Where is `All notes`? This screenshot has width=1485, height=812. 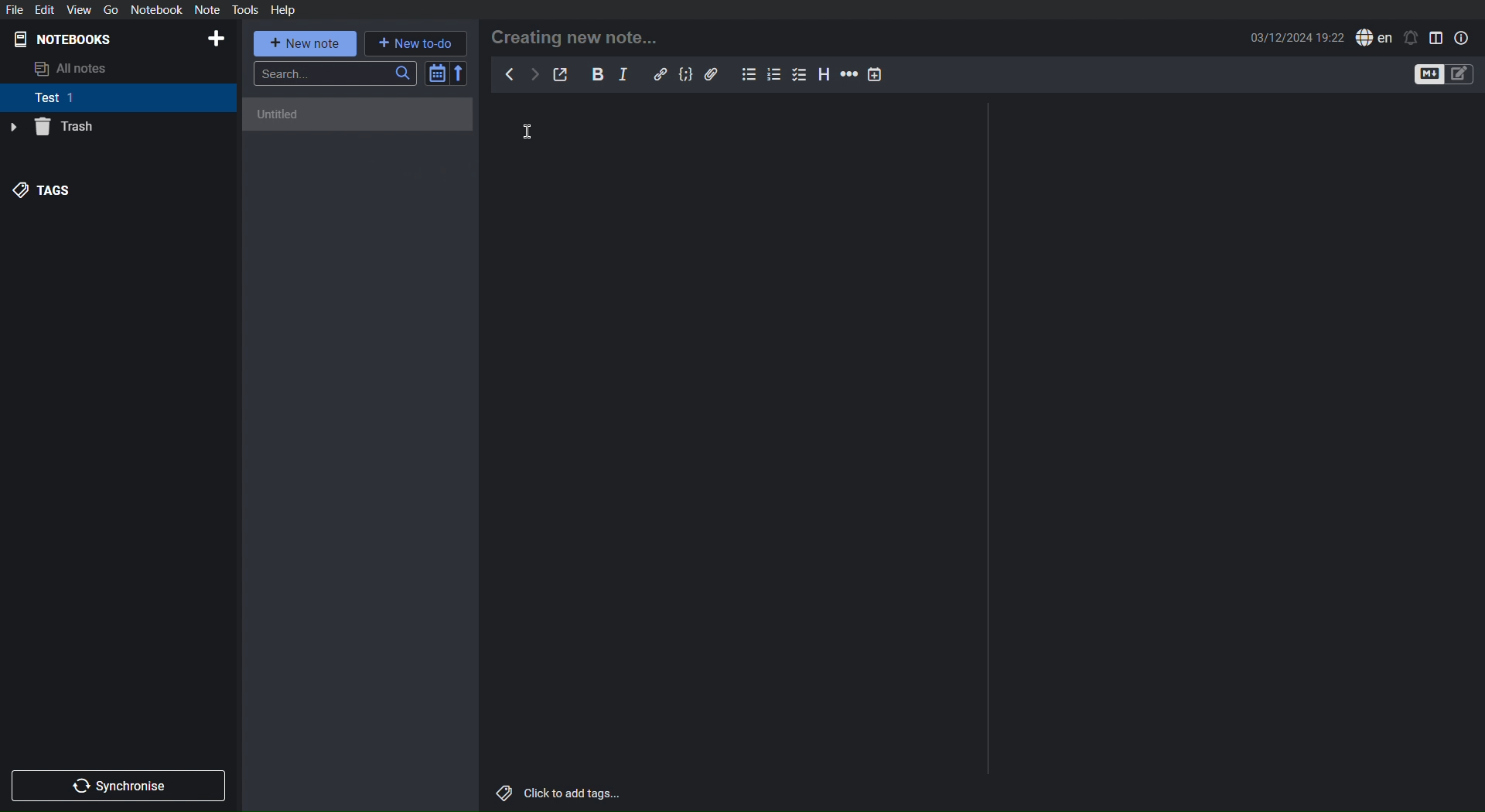 All notes is located at coordinates (74, 70).